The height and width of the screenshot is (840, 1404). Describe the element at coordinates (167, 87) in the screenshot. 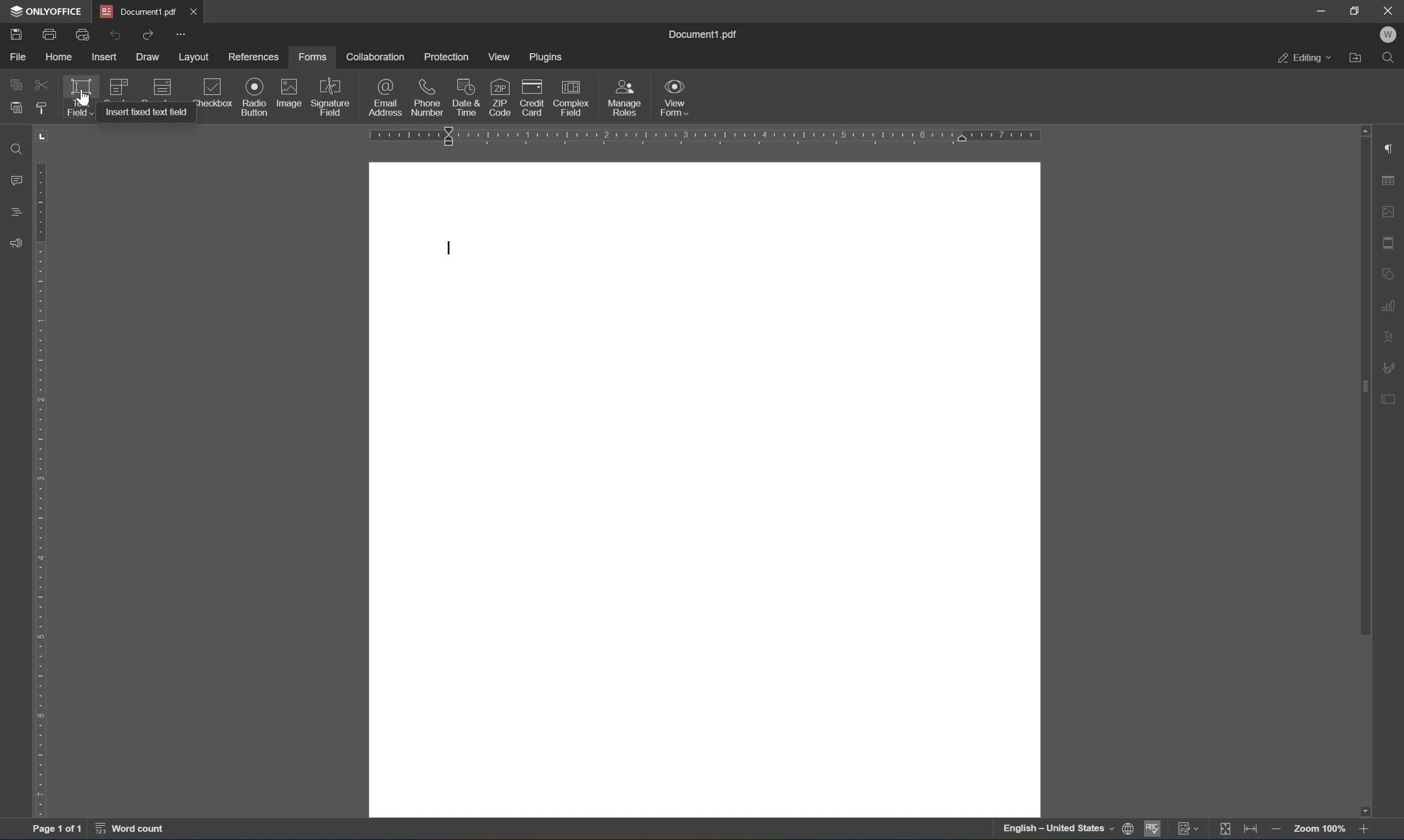

I see `icon` at that location.